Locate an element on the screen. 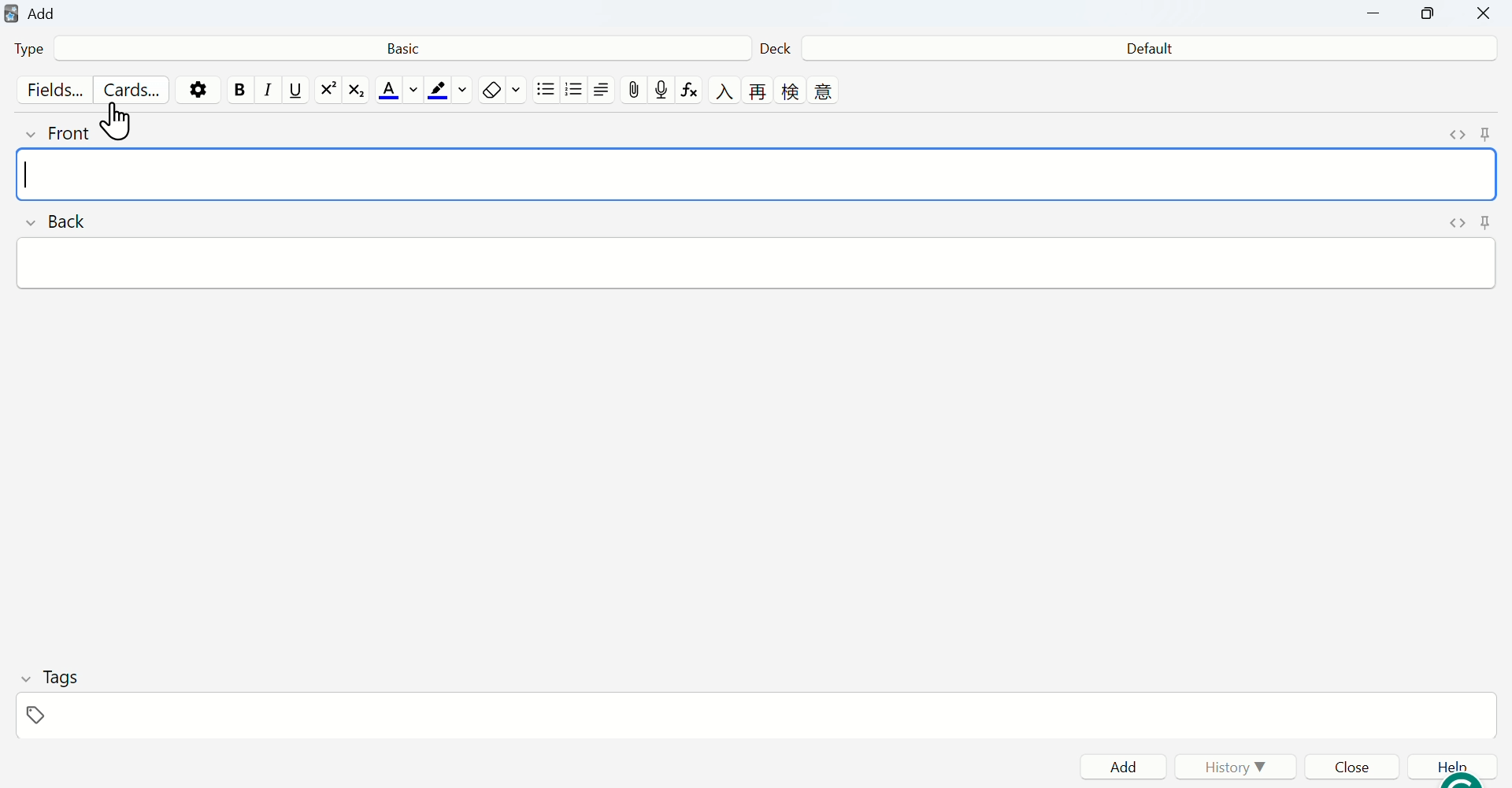  alignment is located at coordinates (602, 90).